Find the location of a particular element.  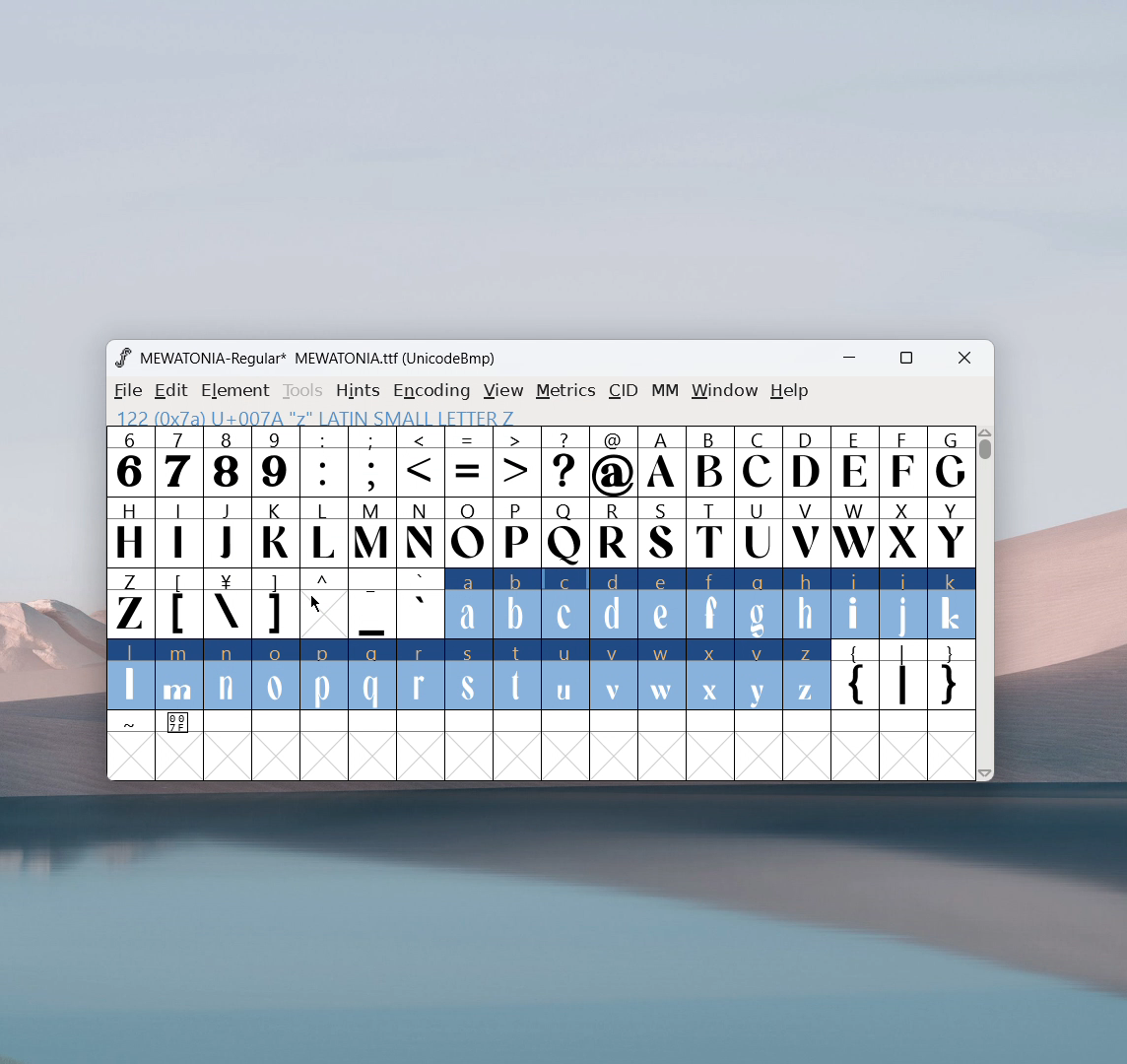

X is located at coordinates (903, 531).